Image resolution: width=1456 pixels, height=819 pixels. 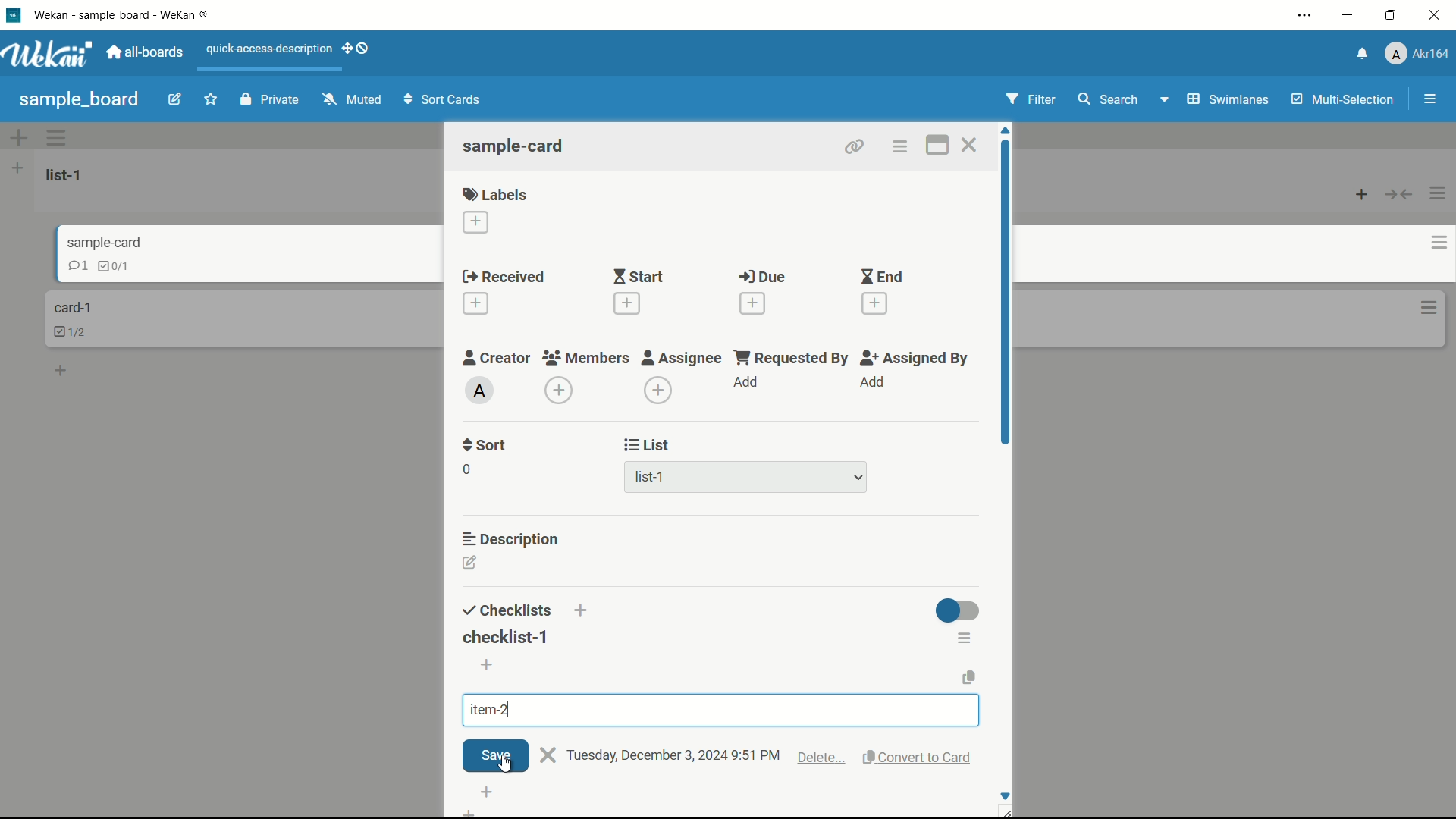 I want to click on card name, so click(x=72, y=307).